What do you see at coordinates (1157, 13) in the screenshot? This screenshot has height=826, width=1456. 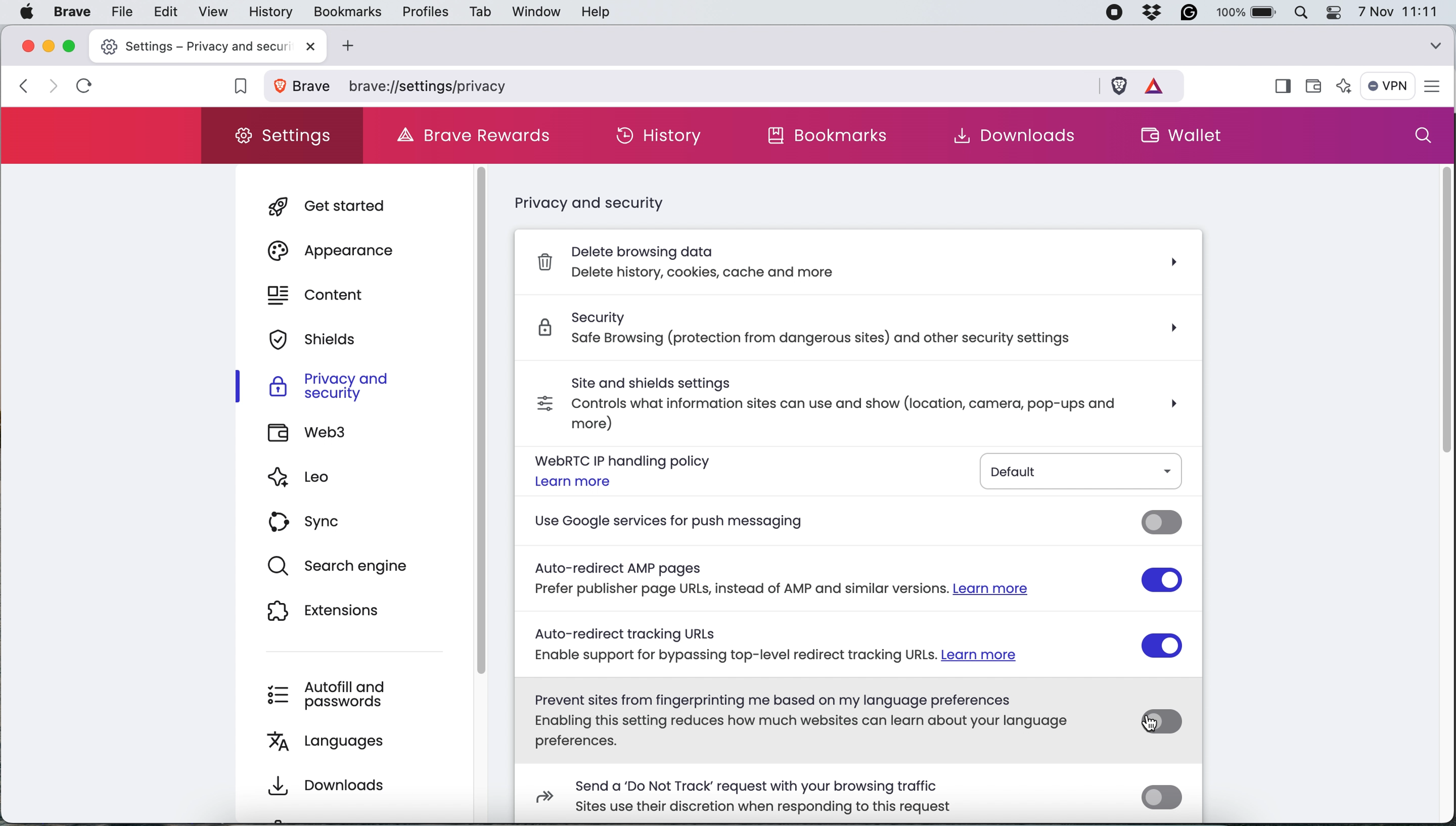 I see `dropbox` at bounding box center [1157, 13].